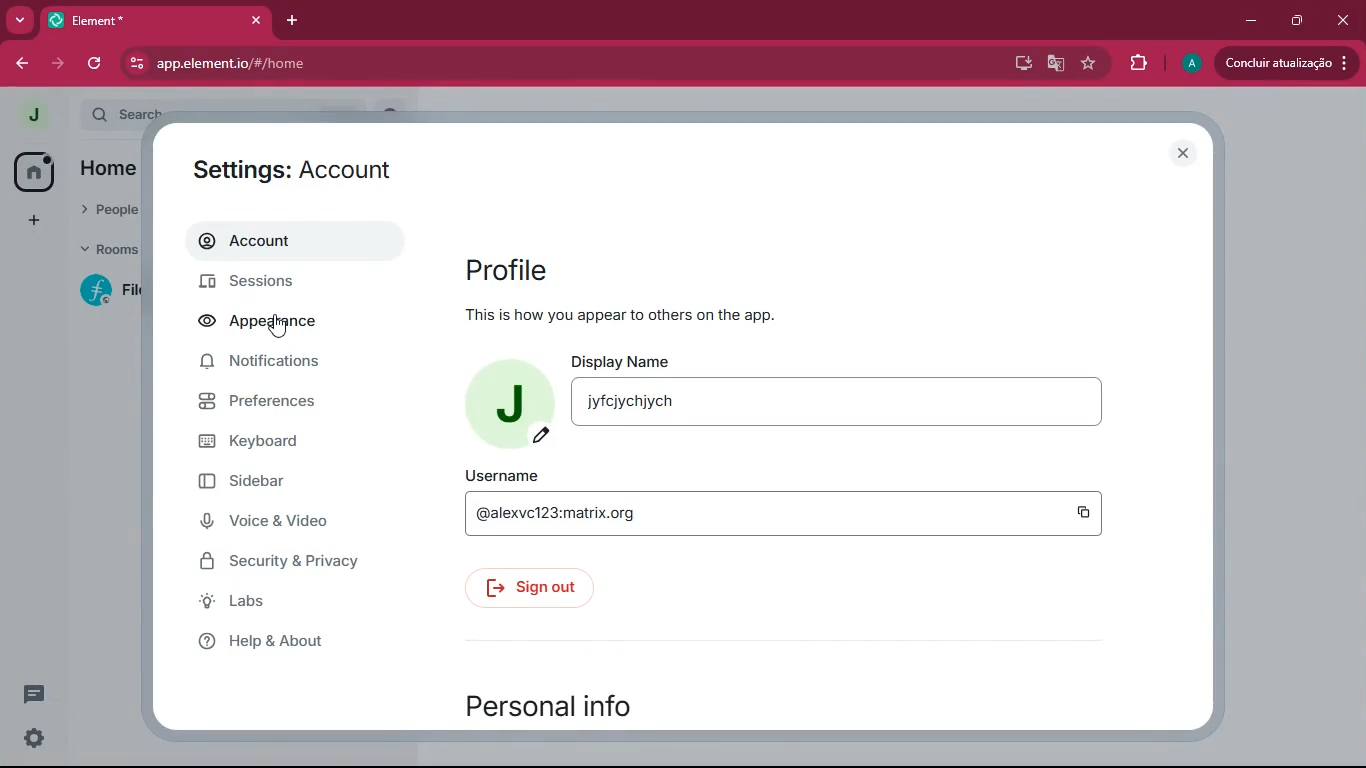 The image size is (1366, 768). I want to click on sign out, so click(542, 588).